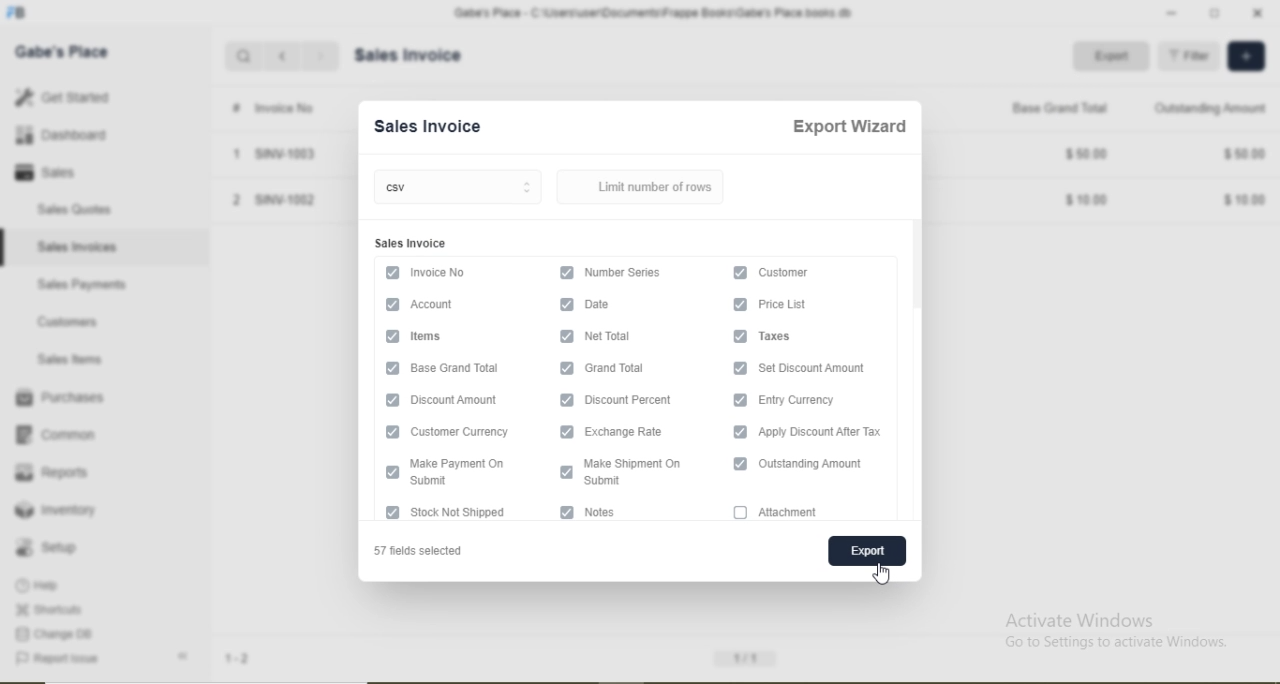 Image resolution: width=1280 pixels, height=684 pixels. What do you see at coordinates (1171, 12) in the screenshot?
I see `minimise` at bounding box center [1171, 12].